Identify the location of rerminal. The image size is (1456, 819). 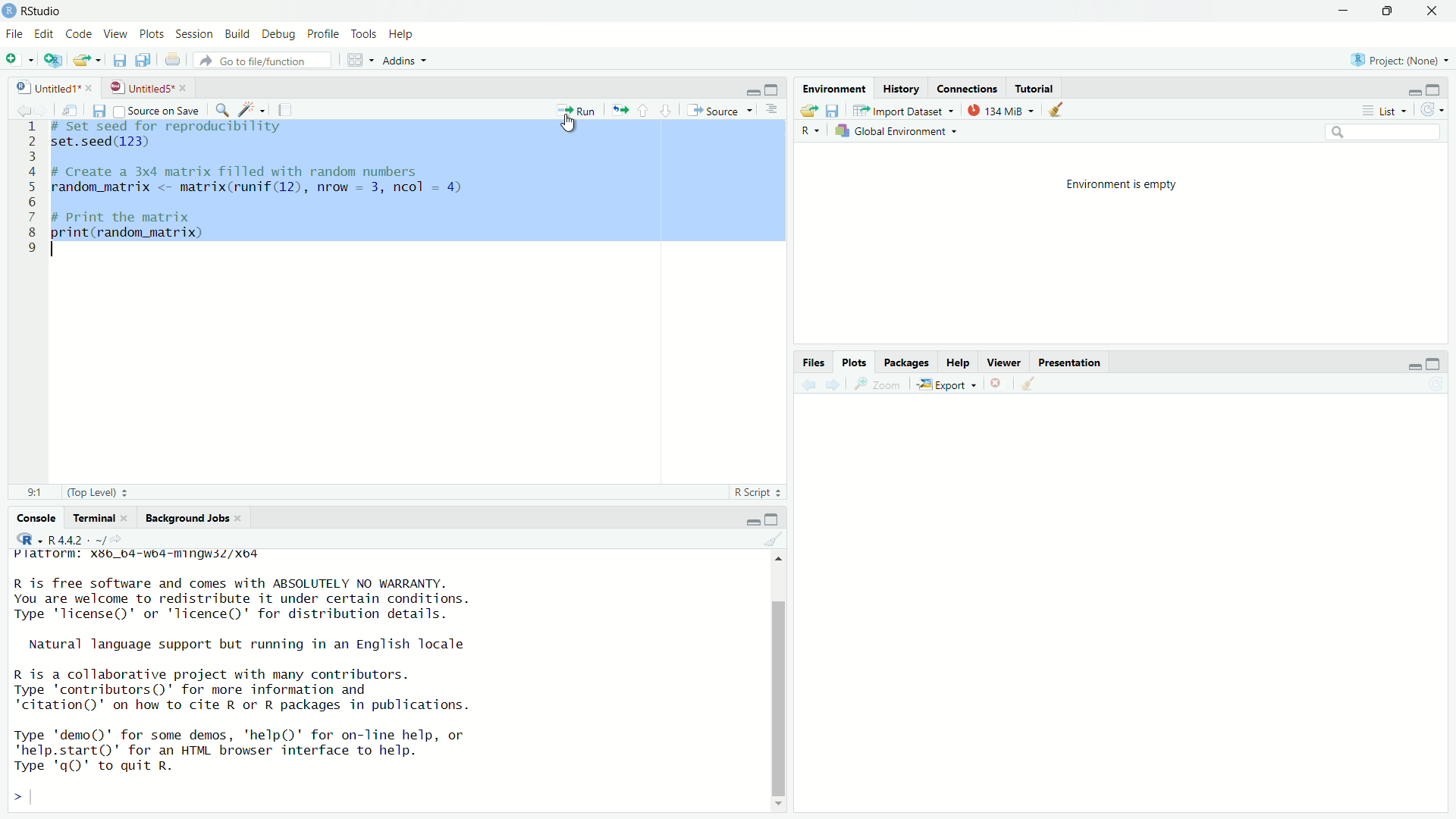
(98, 517).